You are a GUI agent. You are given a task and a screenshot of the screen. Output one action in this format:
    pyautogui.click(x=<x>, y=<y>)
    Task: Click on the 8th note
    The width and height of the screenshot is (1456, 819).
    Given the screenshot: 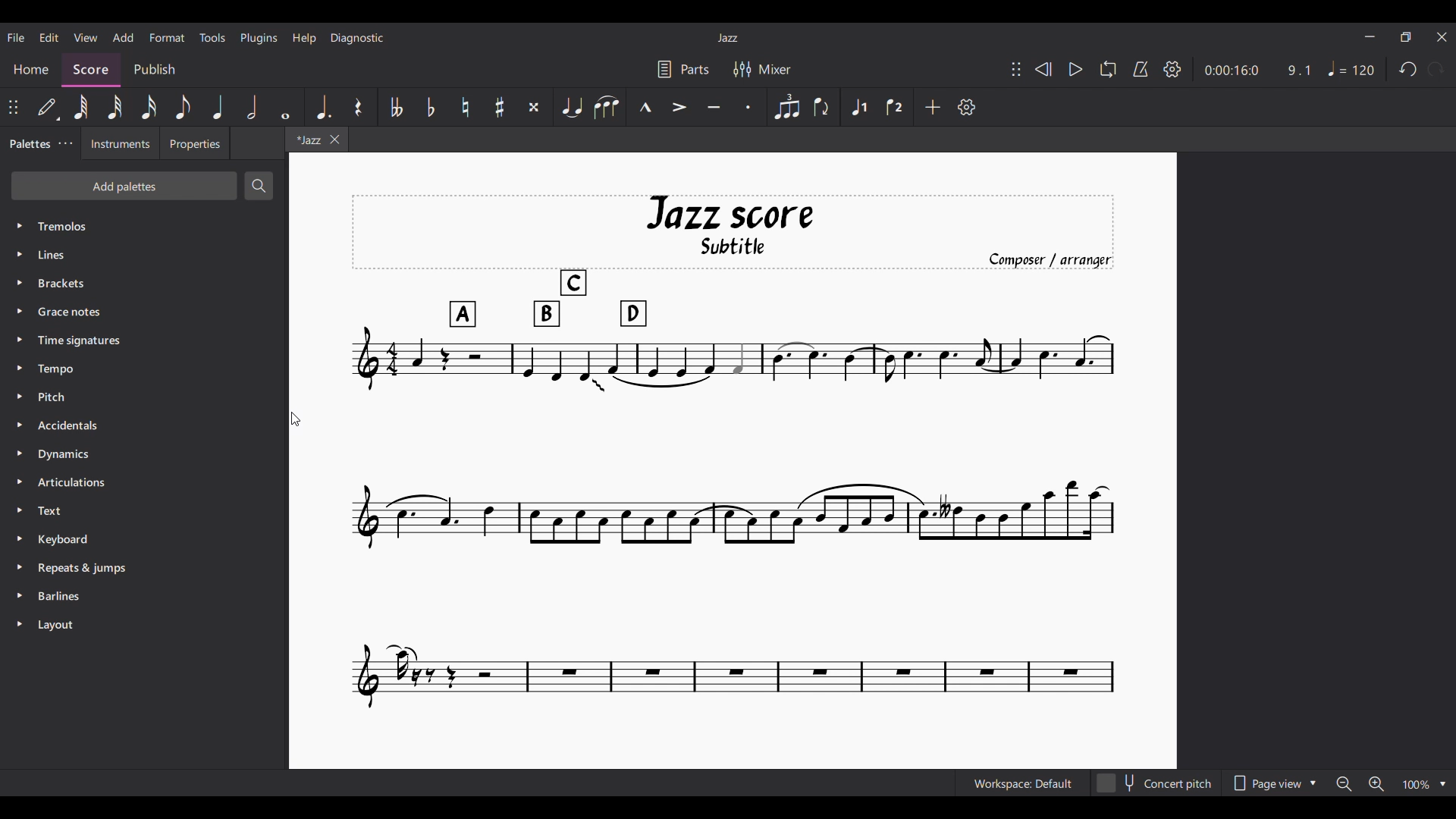 What is the action you would take?
    pyautogui.click(x=183, y=108)
    